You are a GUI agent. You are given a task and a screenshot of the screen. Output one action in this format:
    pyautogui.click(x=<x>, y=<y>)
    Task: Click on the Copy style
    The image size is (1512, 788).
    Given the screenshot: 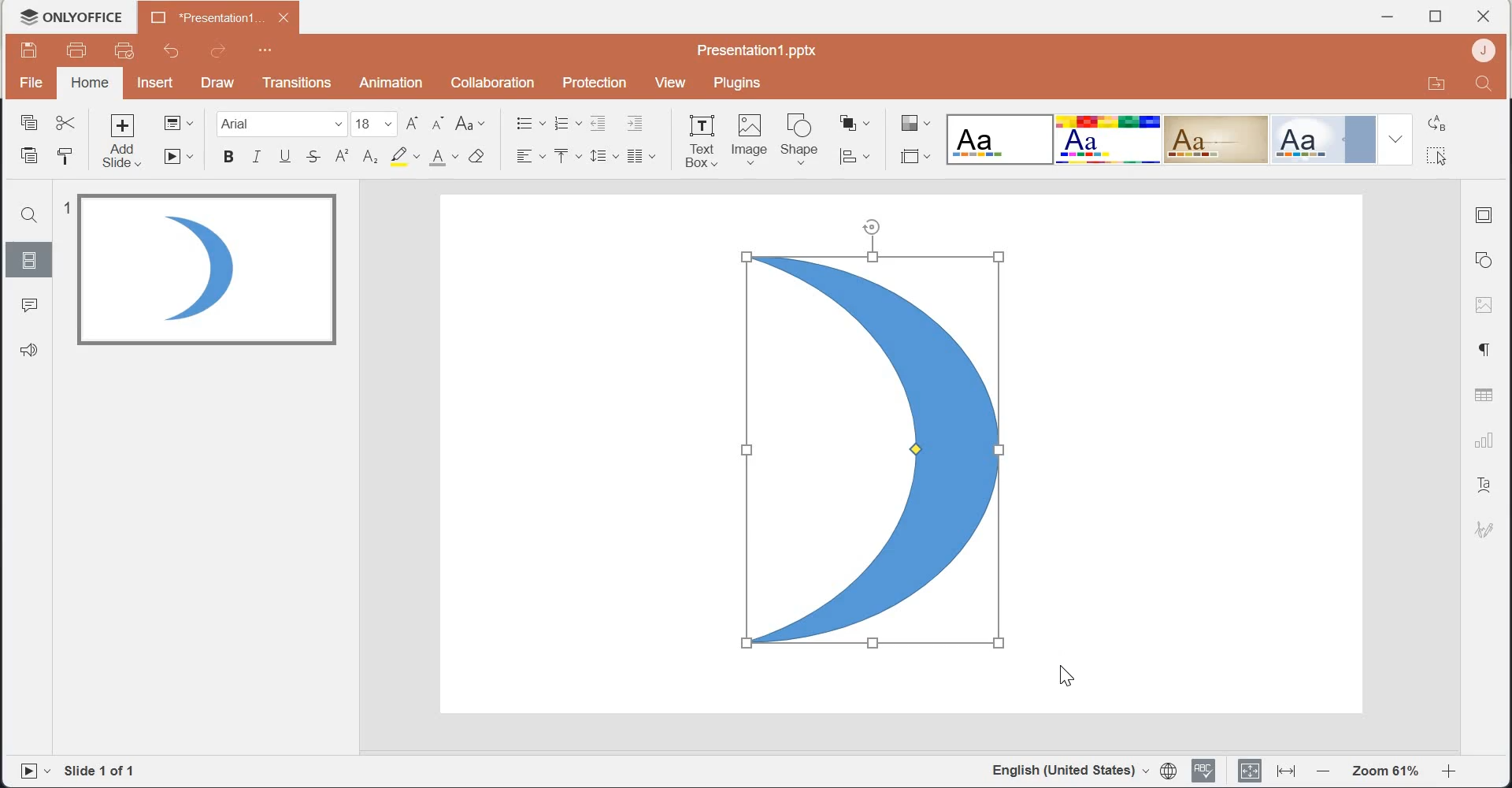 What is the action you would take?
    pyautogui.click(x=70, y=158)
    